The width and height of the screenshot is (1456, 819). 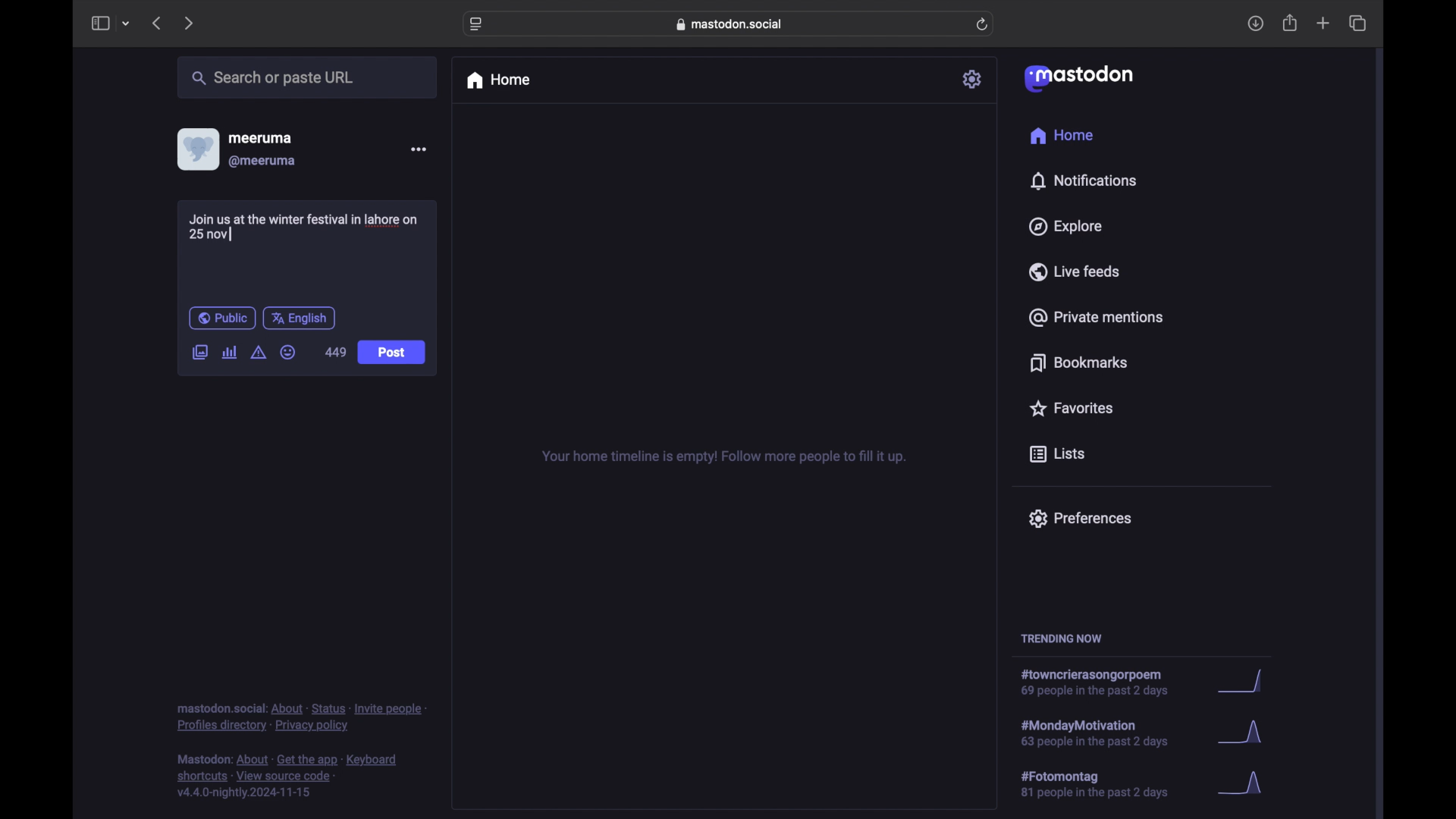 I want to click on footnote, so click(x=302, y=717).